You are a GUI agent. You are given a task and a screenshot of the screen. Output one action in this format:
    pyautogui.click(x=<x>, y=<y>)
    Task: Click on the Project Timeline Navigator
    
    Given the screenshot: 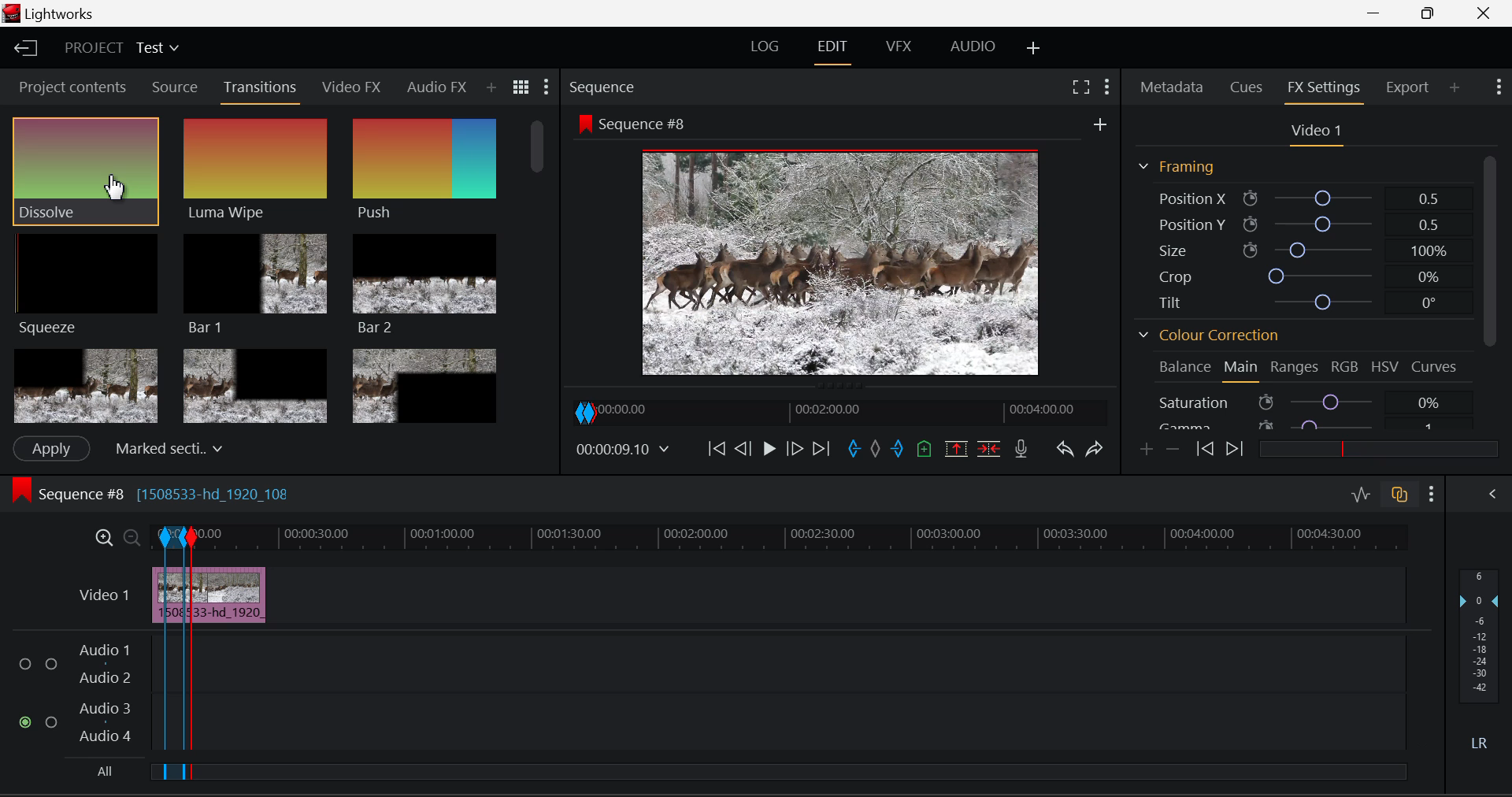 What is the action you would take?
    pyautogui.click(x=837, y=411)
    